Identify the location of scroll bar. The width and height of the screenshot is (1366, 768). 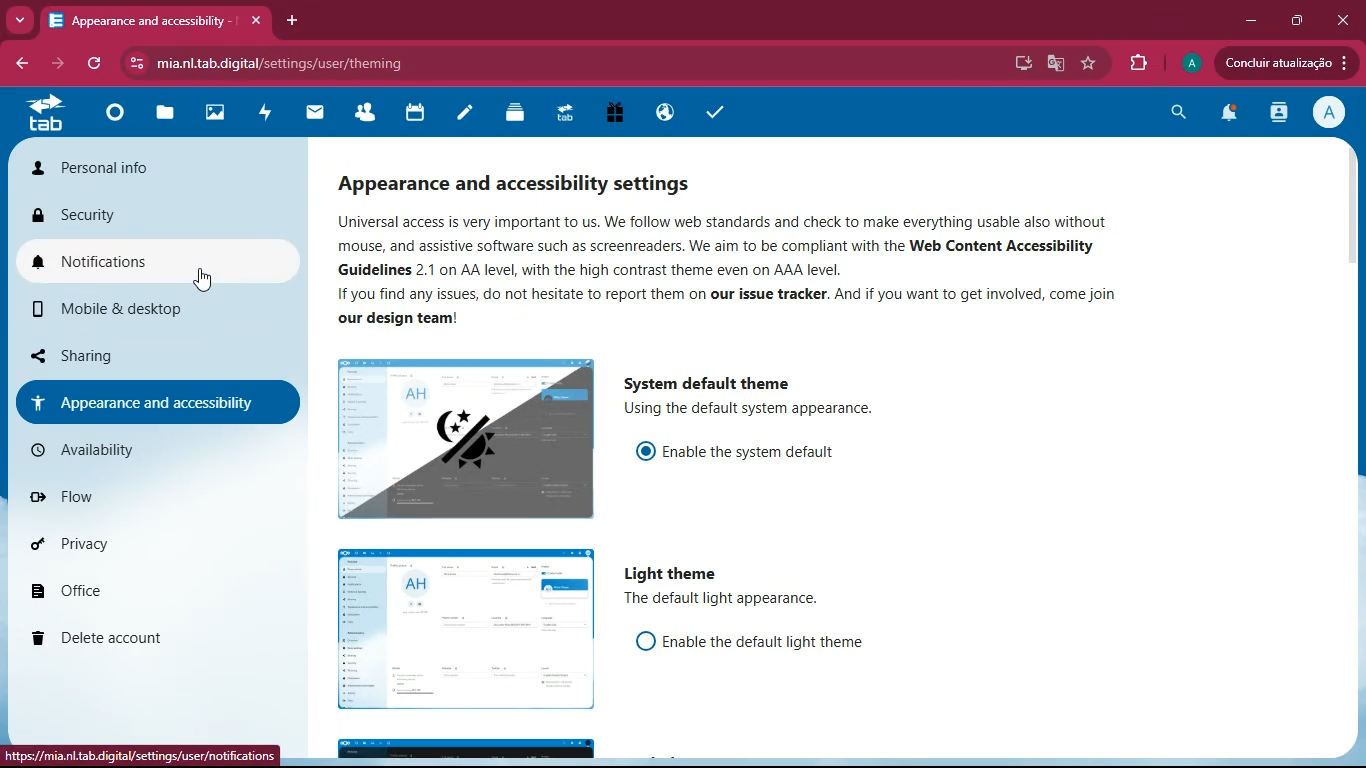
(1351, 205).